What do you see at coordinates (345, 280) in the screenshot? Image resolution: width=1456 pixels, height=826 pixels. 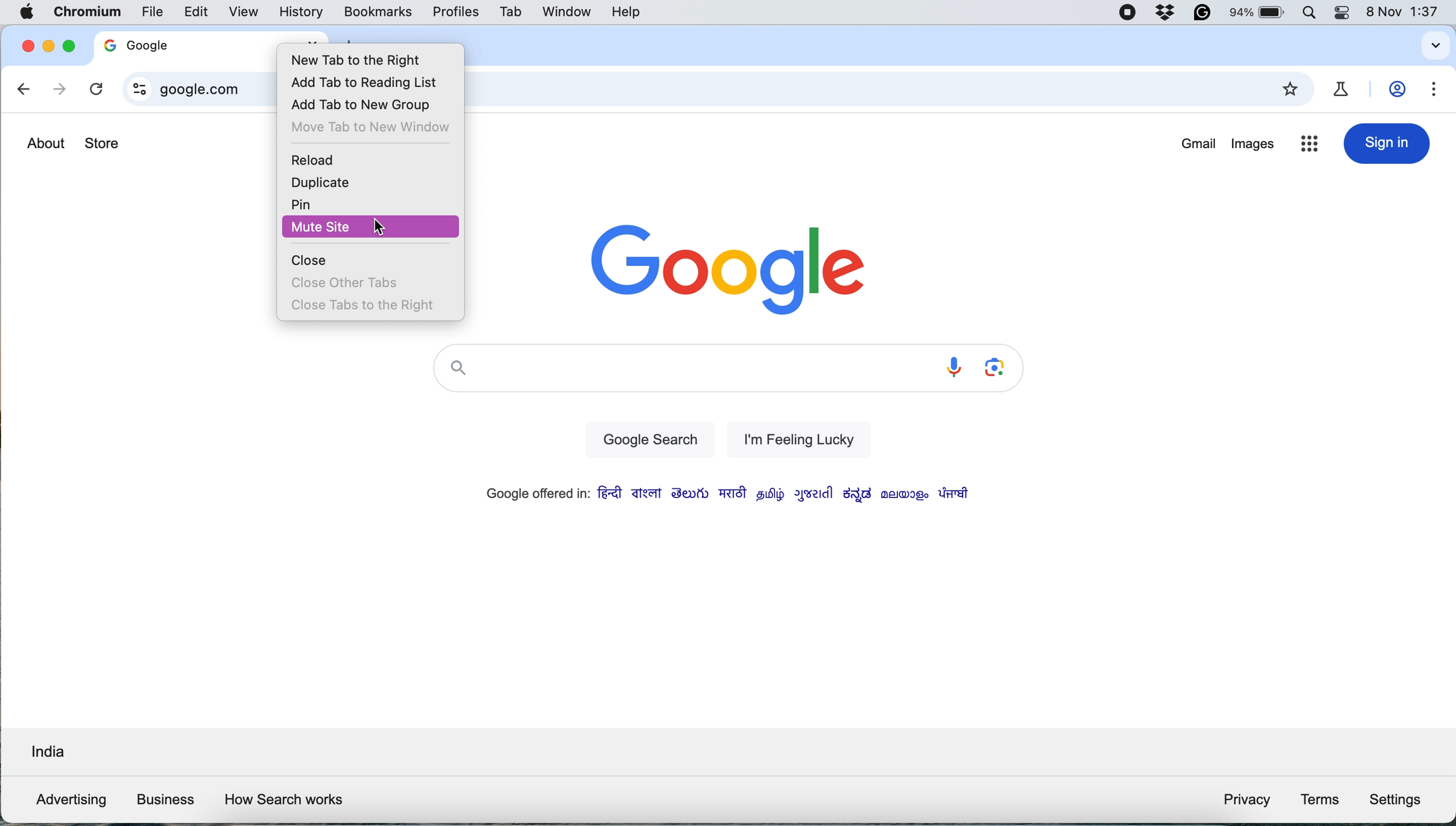 I see `close other tabs` at bounding box center [345, 280].